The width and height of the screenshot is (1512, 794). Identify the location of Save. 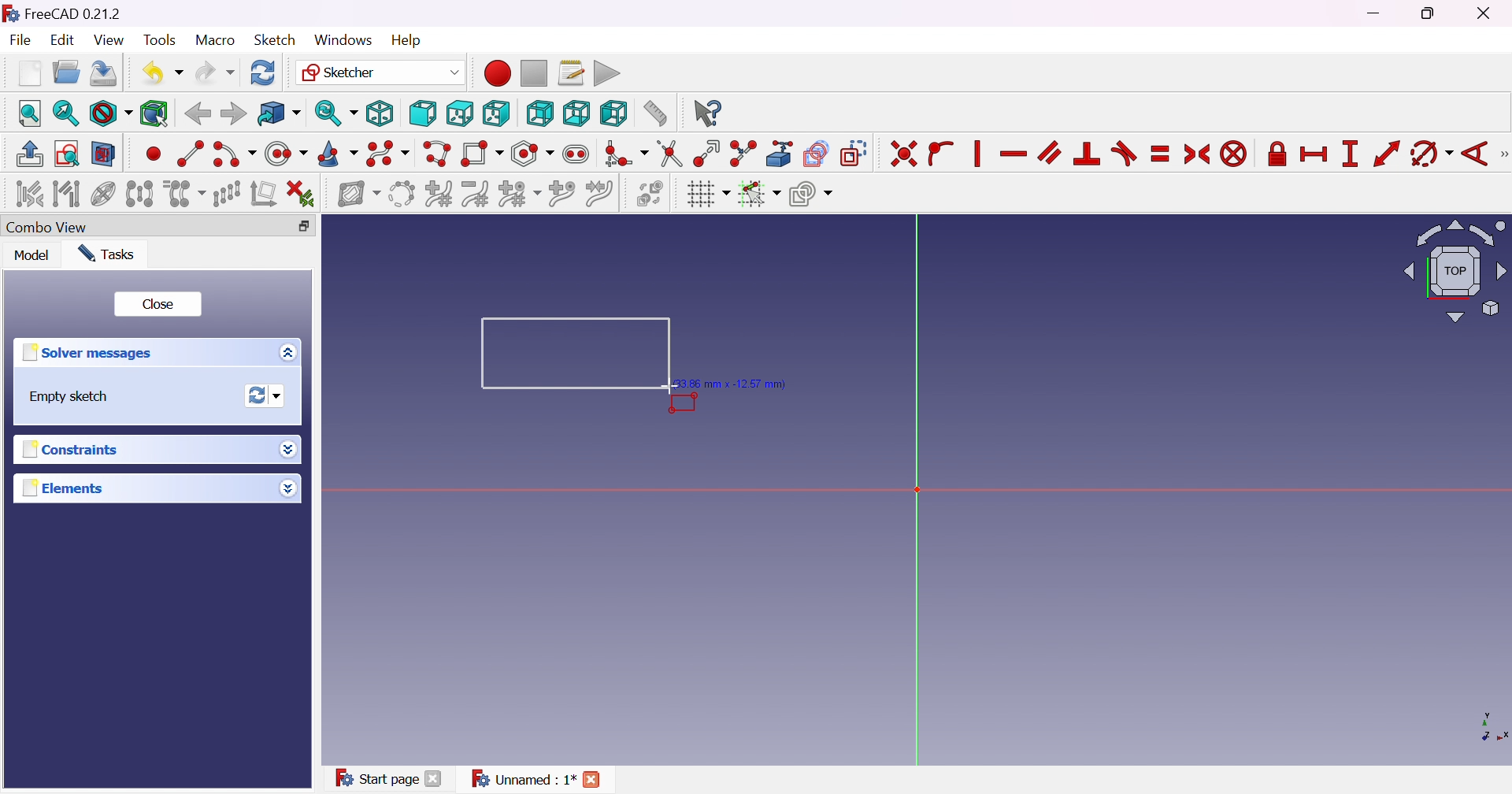
(102, 76).